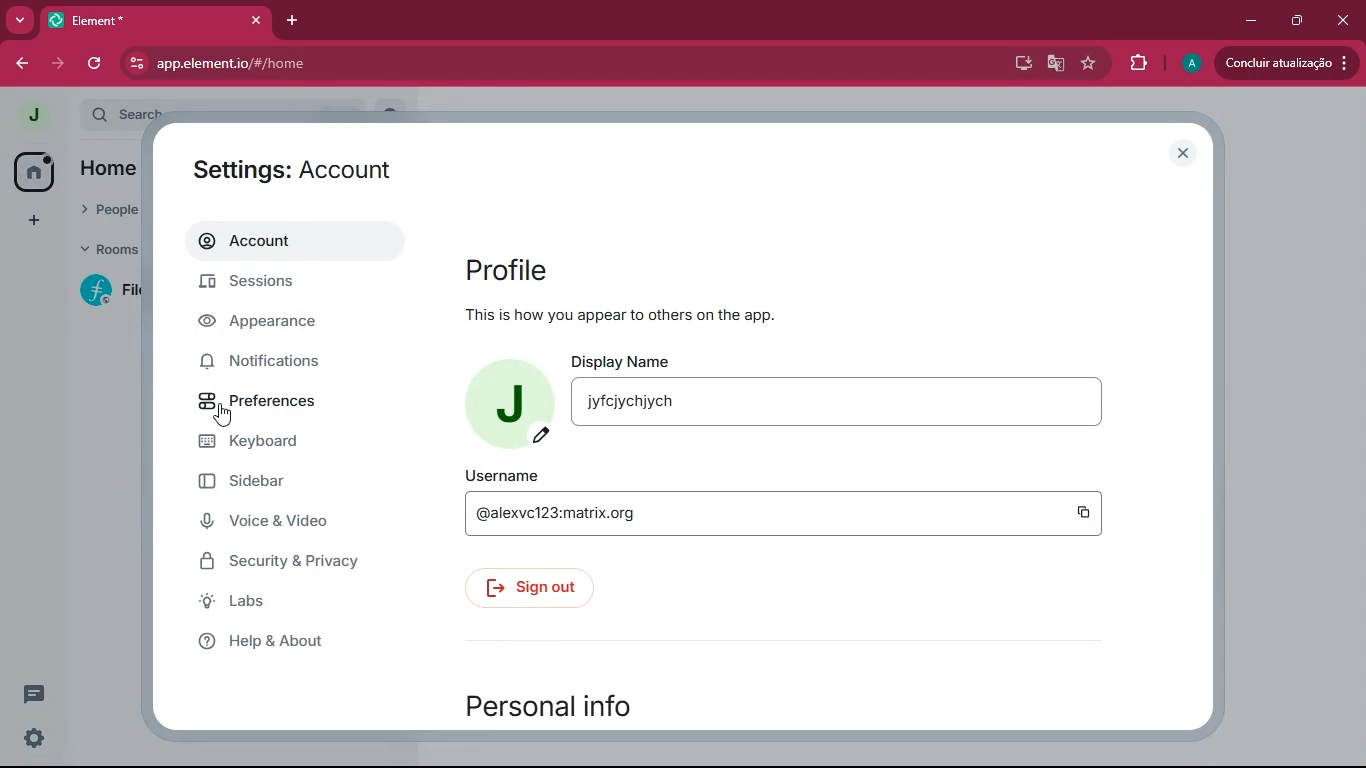  What do you see at coordinates (1191, 65) in the screenshot?
I see `profile picture` at bounding box center [1191, 65].